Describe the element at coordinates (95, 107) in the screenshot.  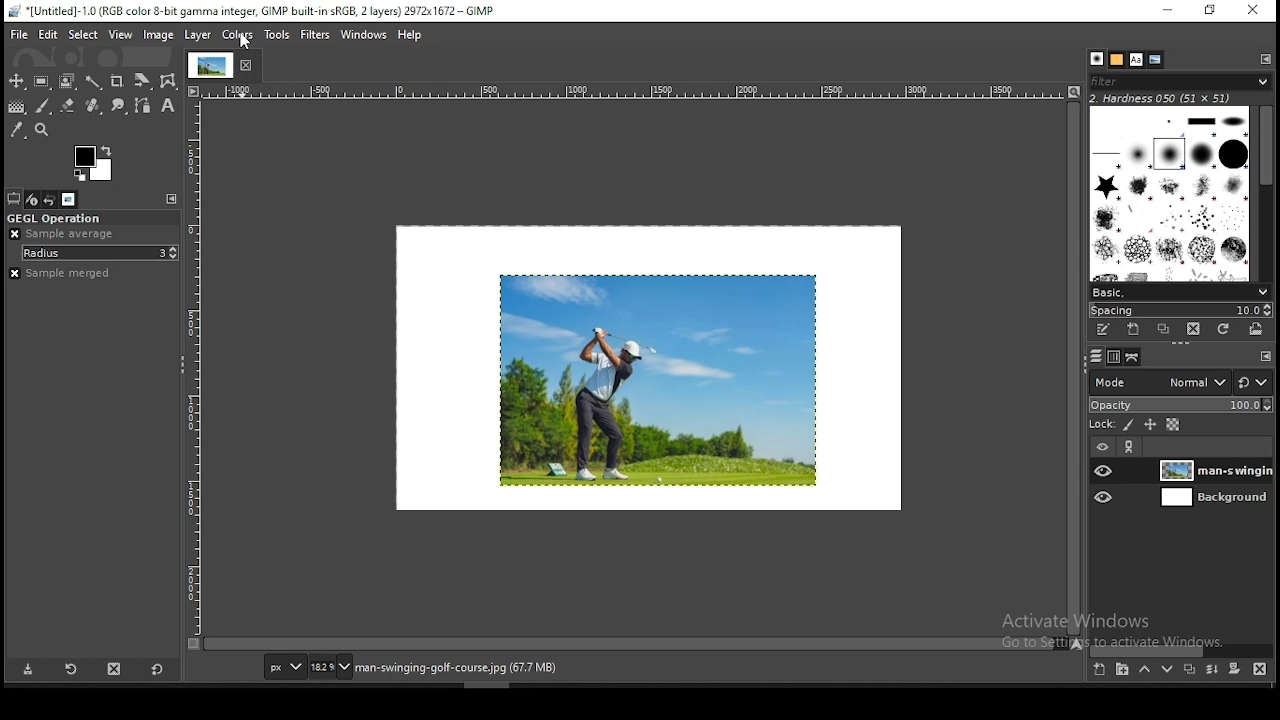
I see `eraser tool` at that location.